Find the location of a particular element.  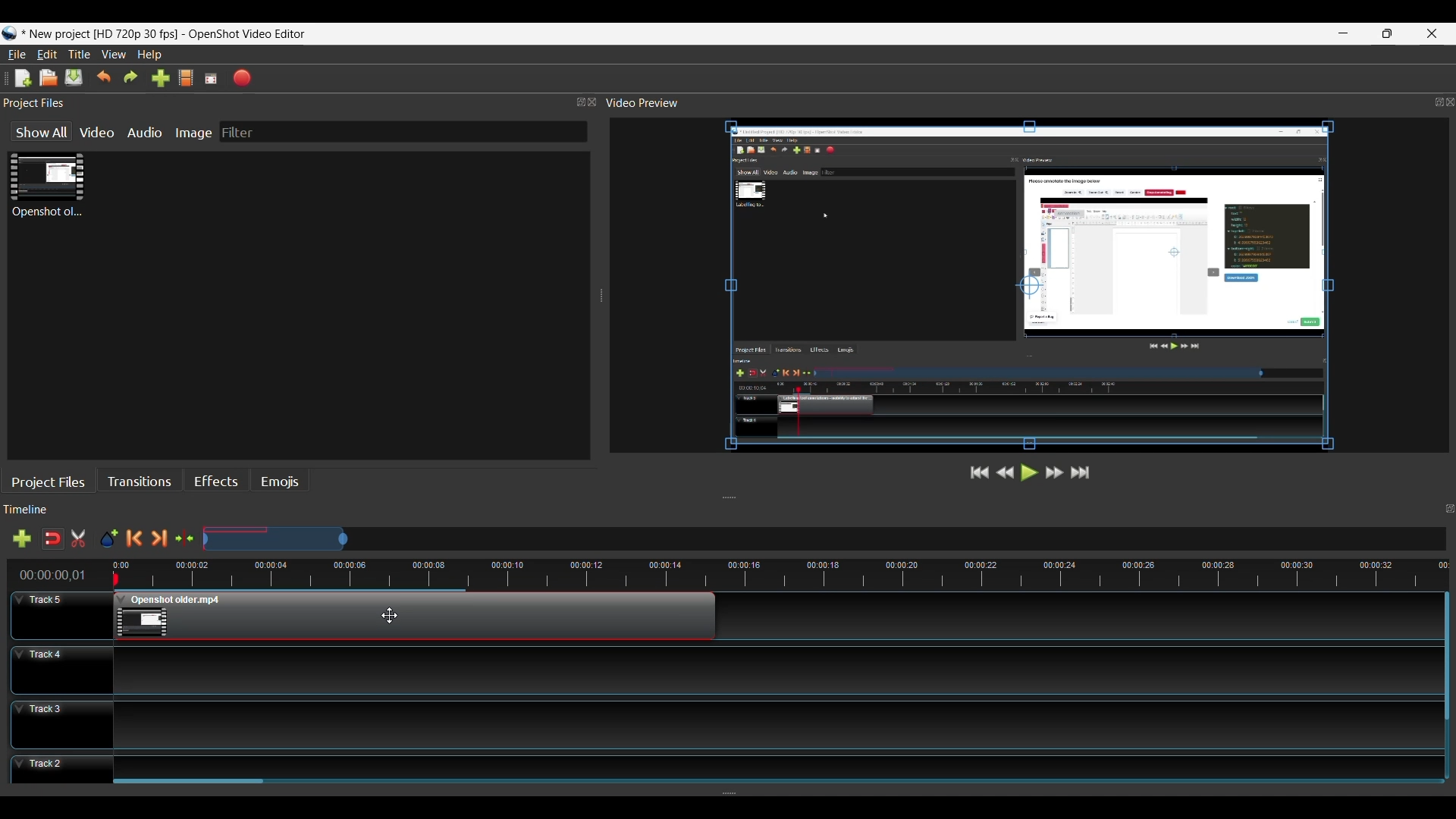

Fullscreen is located at coordinates (212, 78).